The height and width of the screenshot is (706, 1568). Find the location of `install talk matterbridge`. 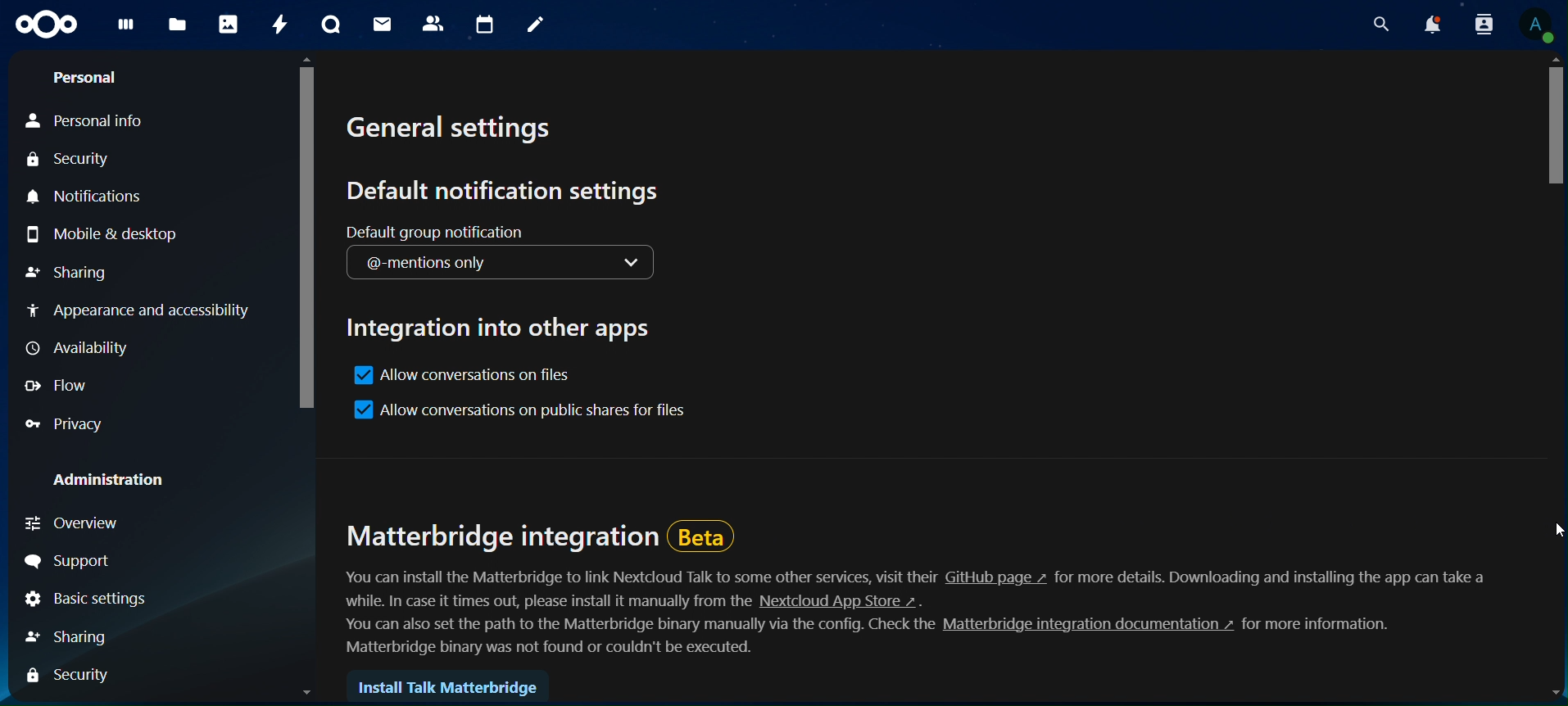

install talk matterbridge is located at coordinates (445, 688).